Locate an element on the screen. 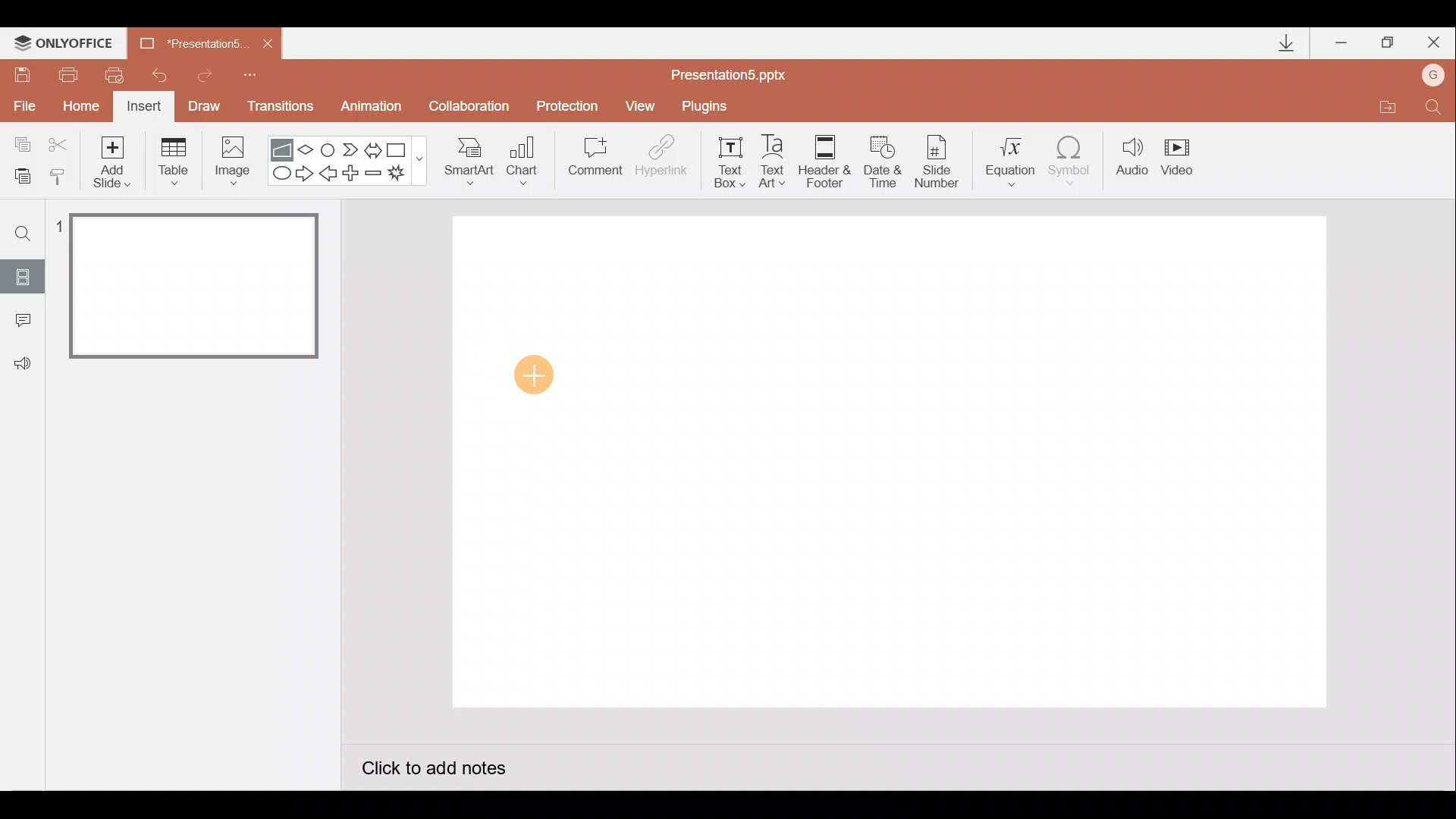  Image is located at coordinates (228, 160).